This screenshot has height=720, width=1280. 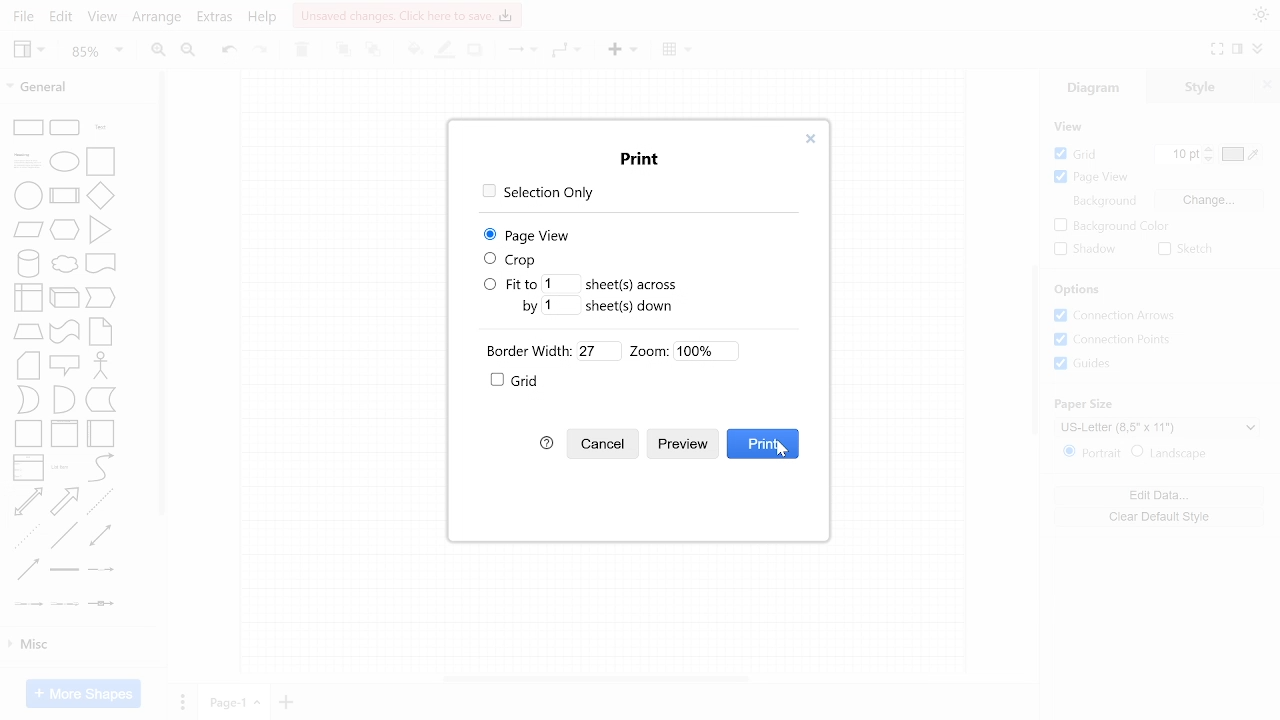 I want to click on sheet(s) across, so click(x=631, y=284).